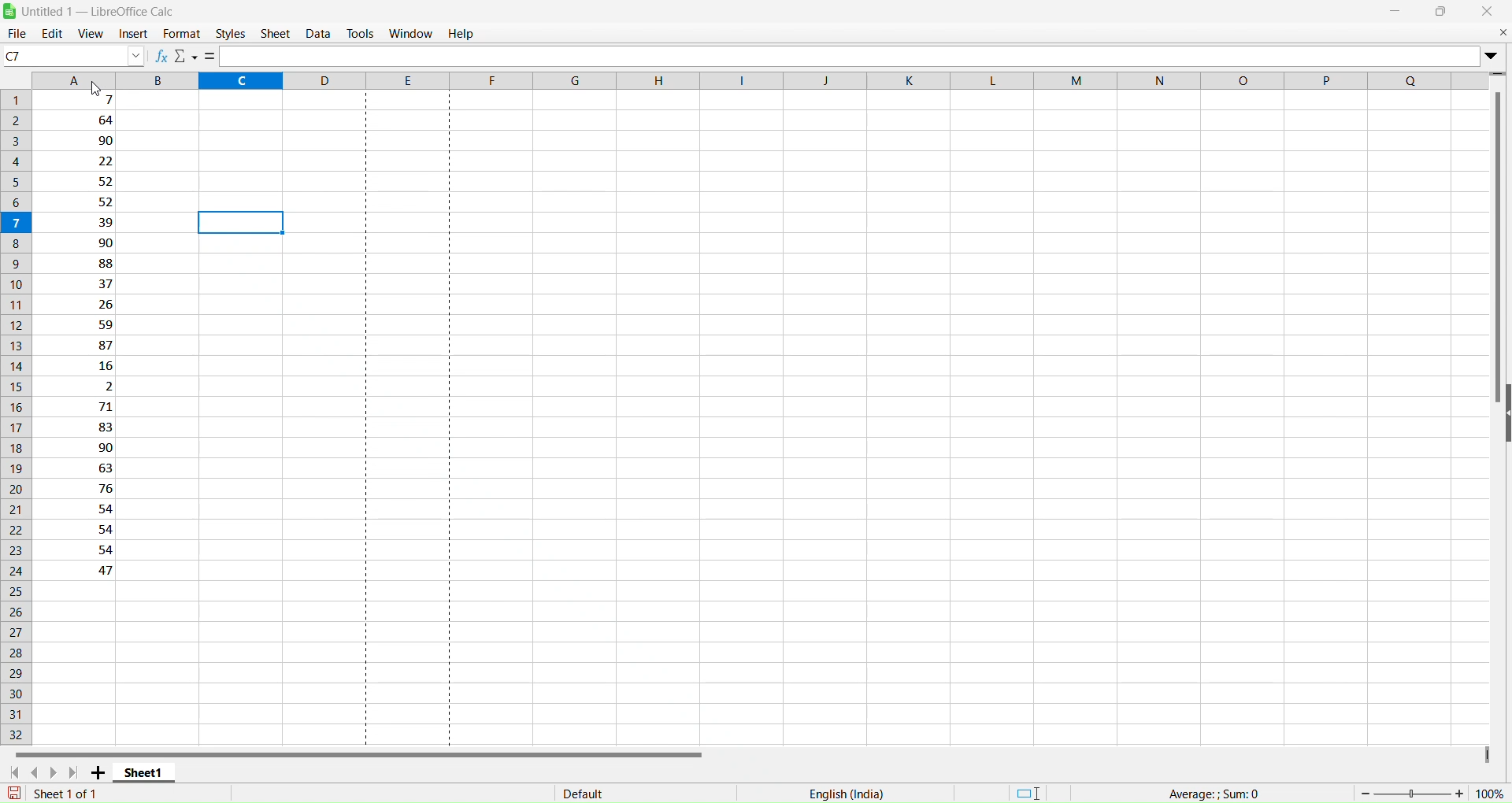 Image resolution: width=1512 pixels, height=803 pixels. Describe the element at coordinates (846, 794) in the screenshot. I see `Language` at that location.